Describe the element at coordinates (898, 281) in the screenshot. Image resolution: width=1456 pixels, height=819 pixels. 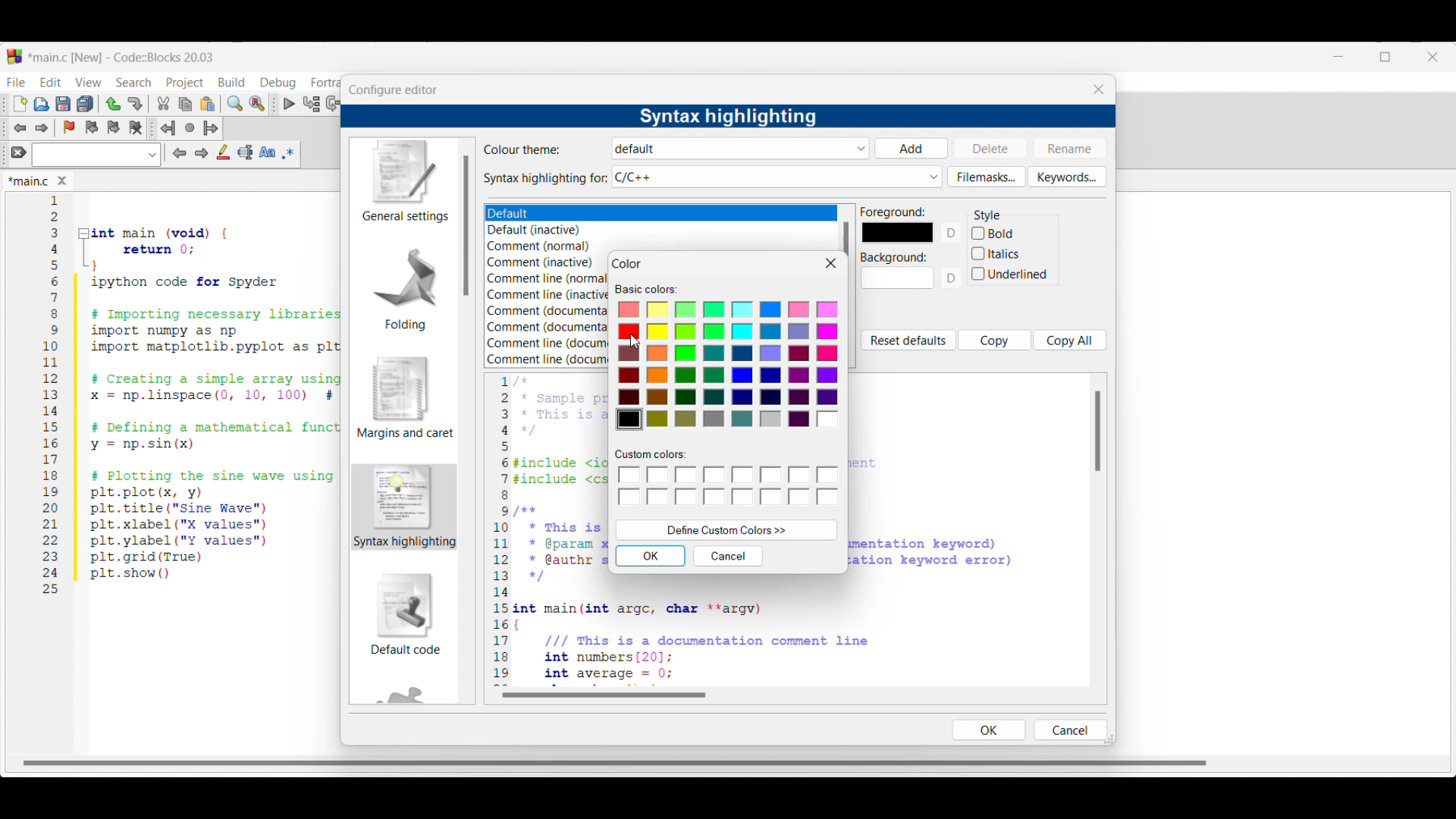
I see `Background color options` at that location.